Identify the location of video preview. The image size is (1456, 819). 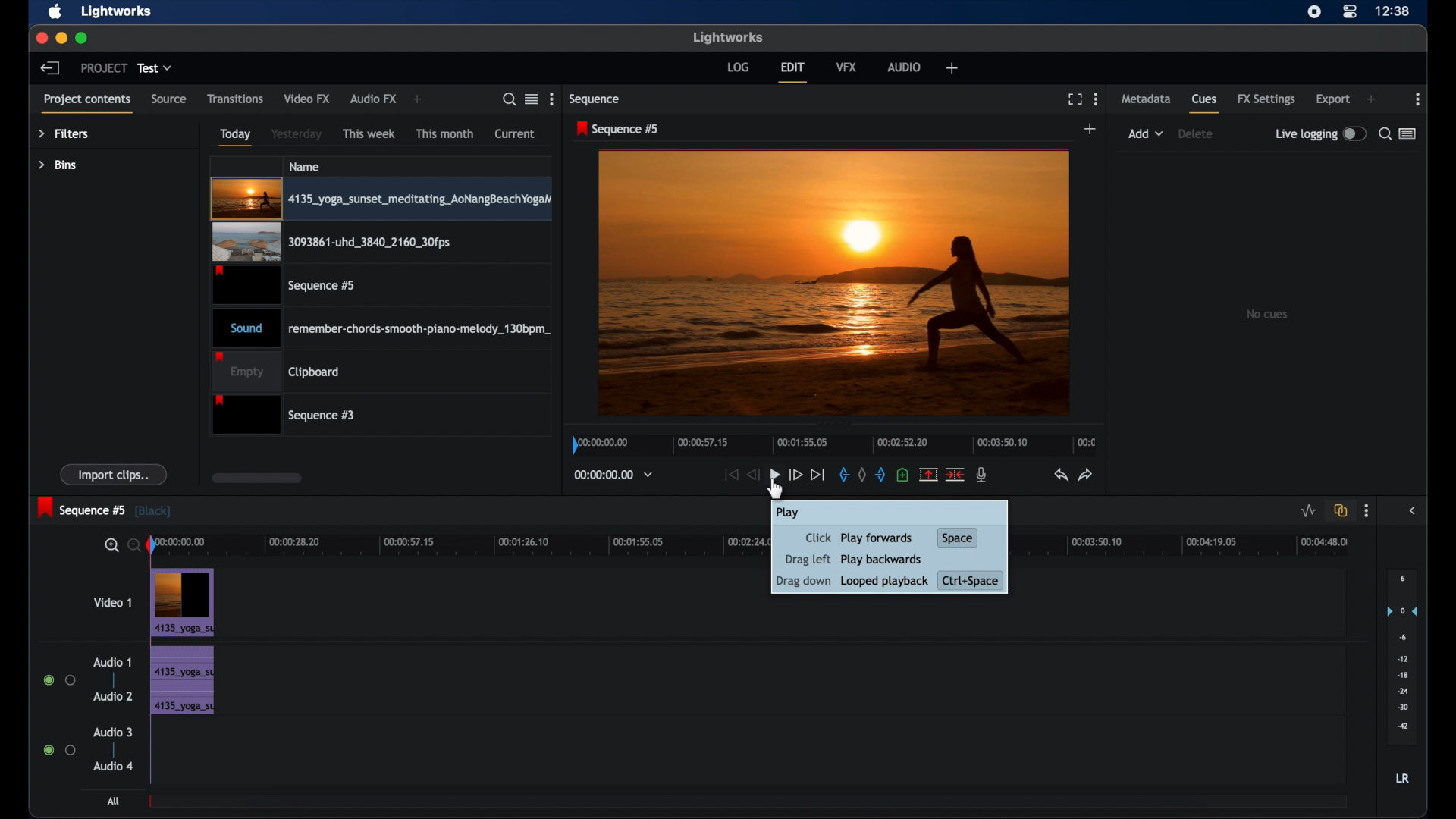
(836, 285).